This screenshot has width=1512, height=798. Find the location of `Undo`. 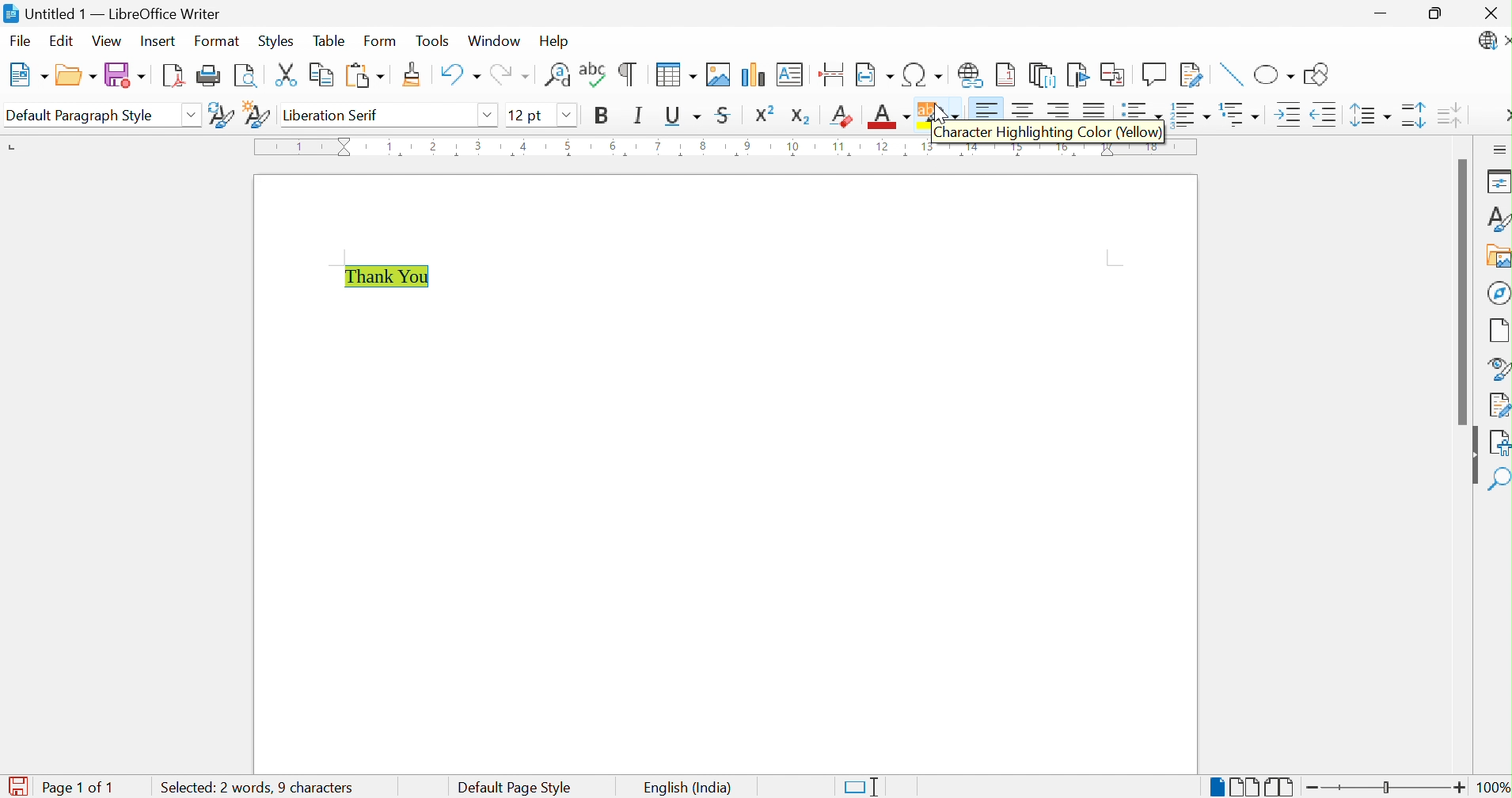

Undo is located at coordinates (460, 75).